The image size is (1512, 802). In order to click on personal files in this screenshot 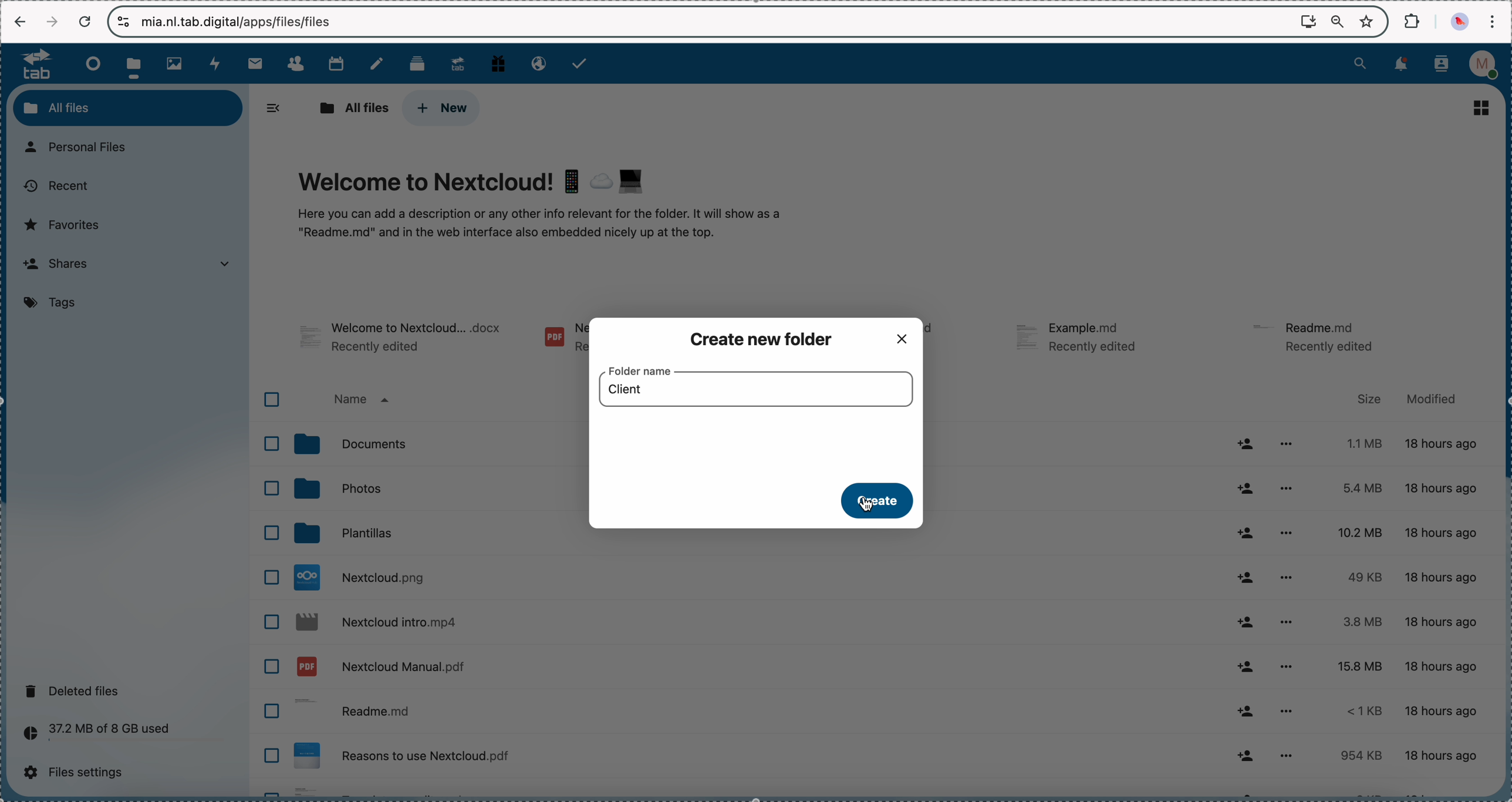, I will do `click(82, 148)`.